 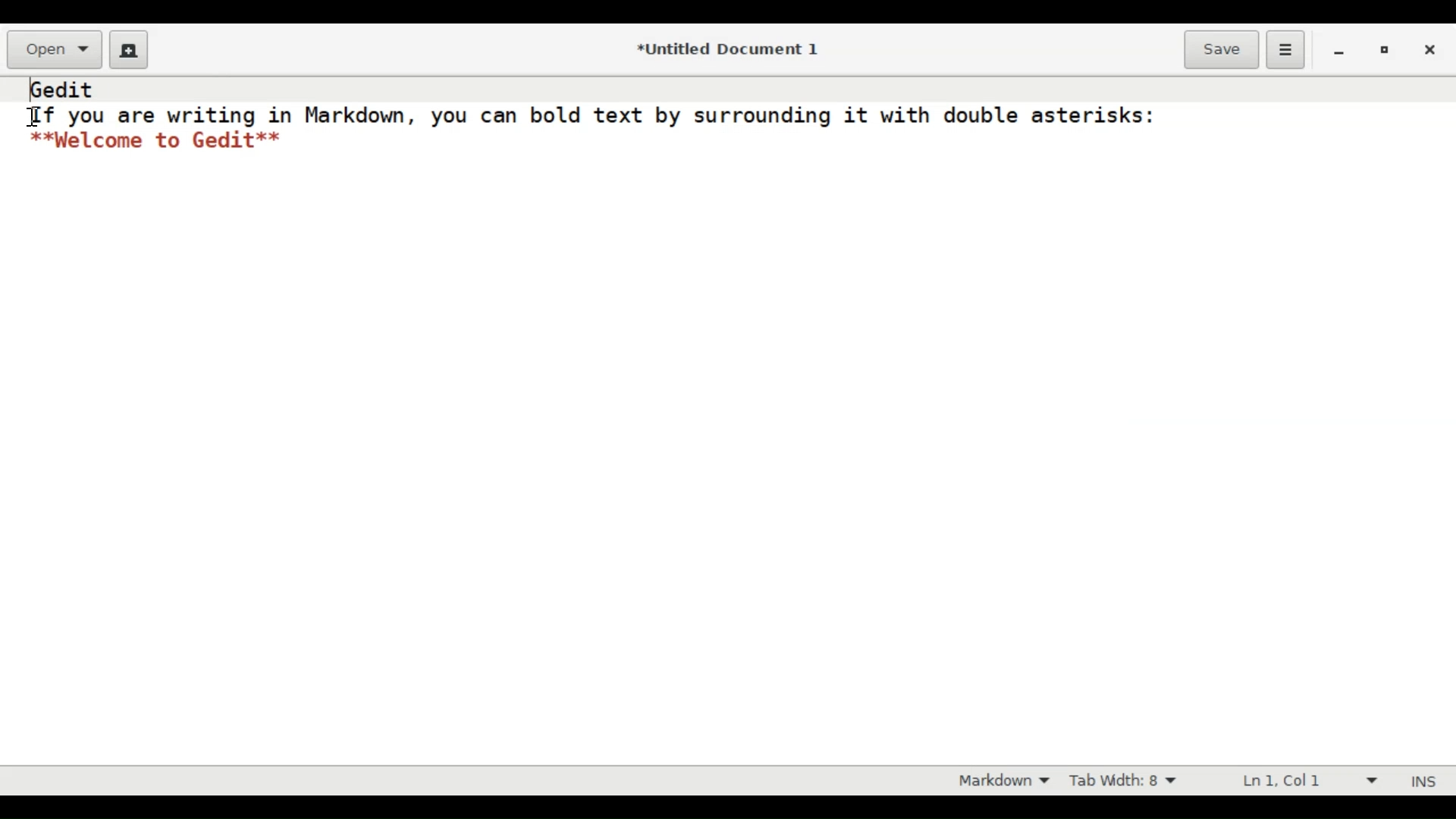 I want to click on Save, so click(x=1221, y=48).